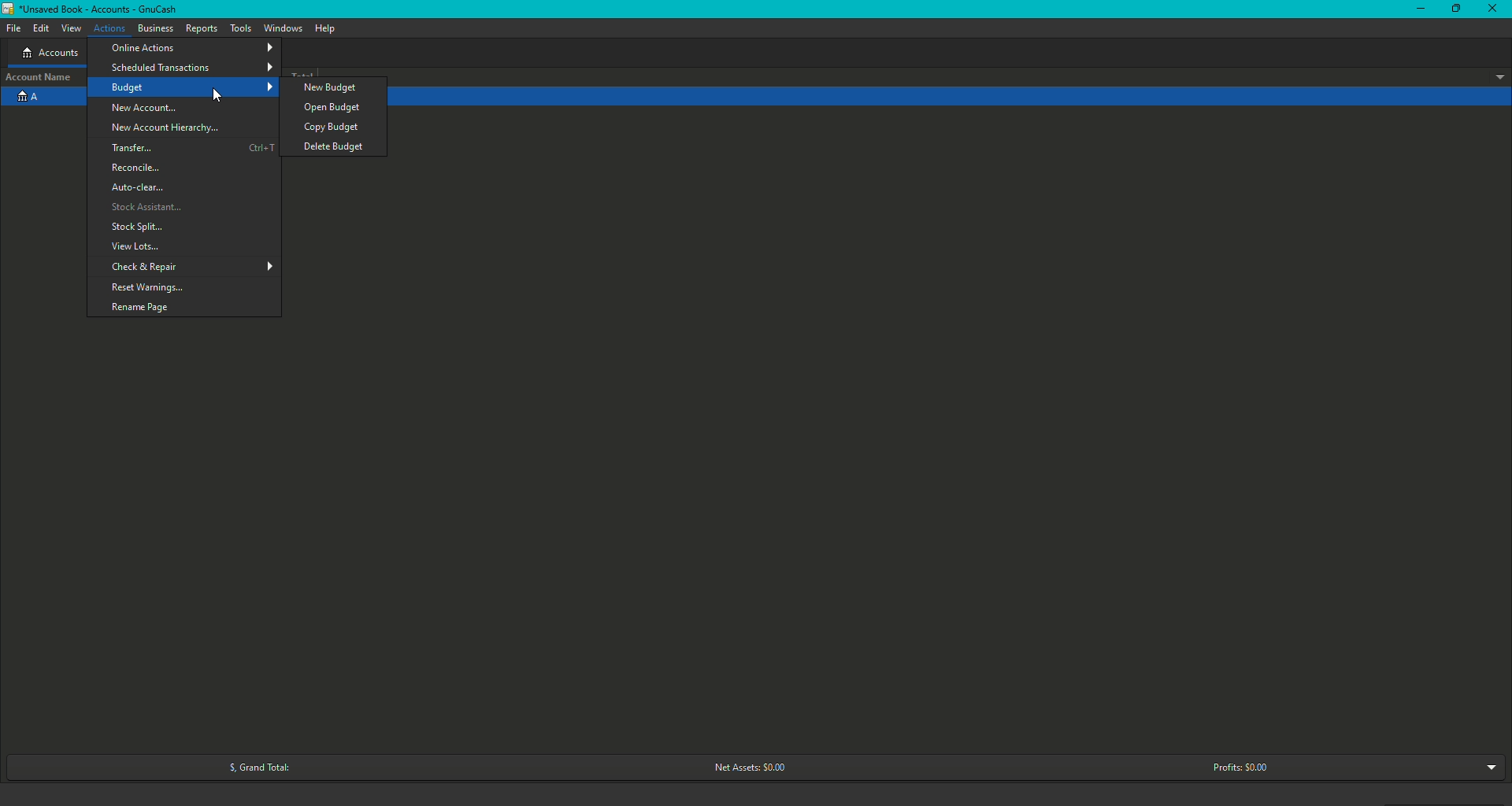 This screenshot has width=1512, height=806. Describe the element at coordinates (219, 98) in the screenshot. I see `cursor` at that location.